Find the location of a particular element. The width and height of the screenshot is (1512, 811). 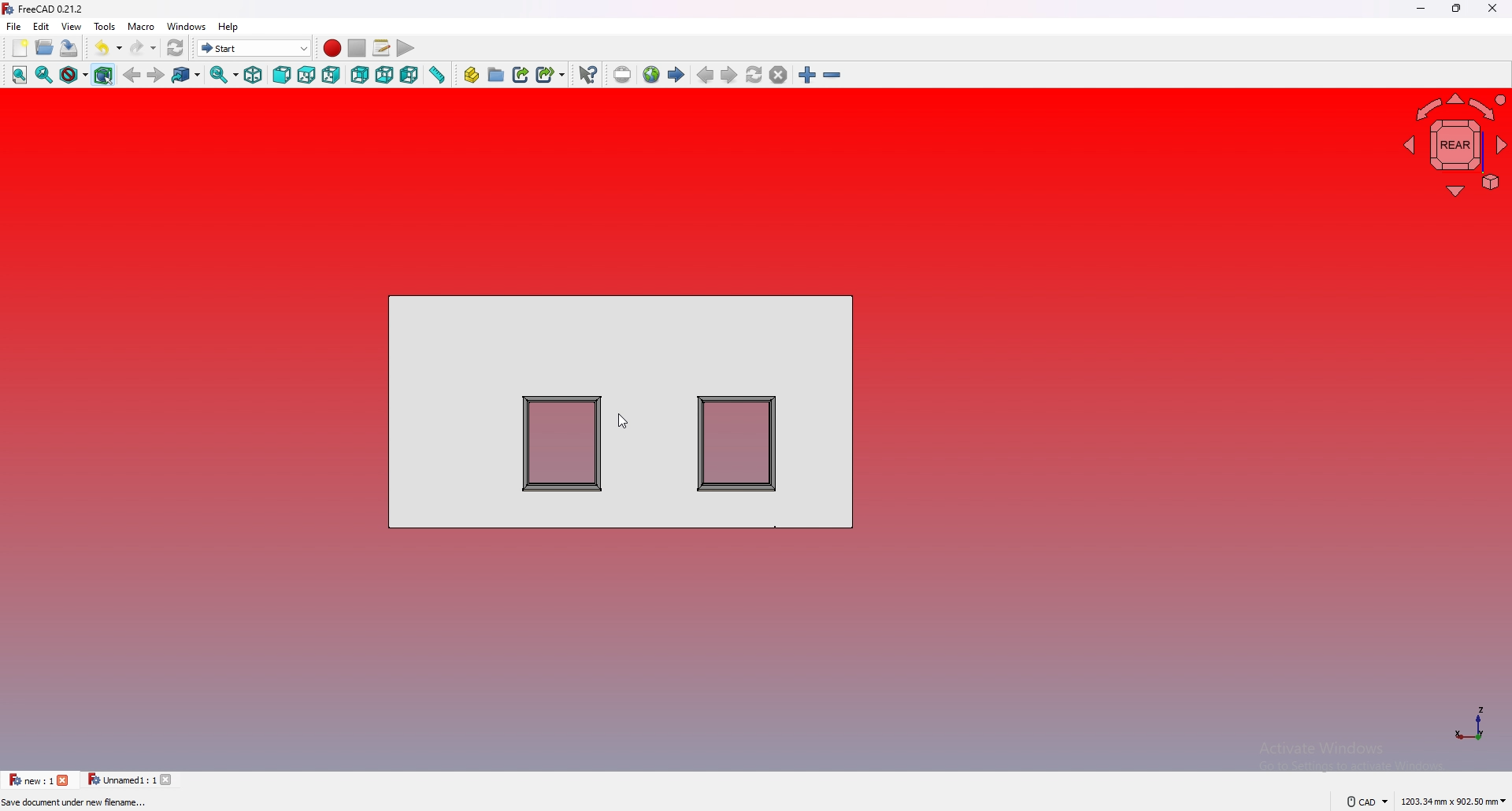

Unnamed1: 1 is located at coordinates (120, 780).